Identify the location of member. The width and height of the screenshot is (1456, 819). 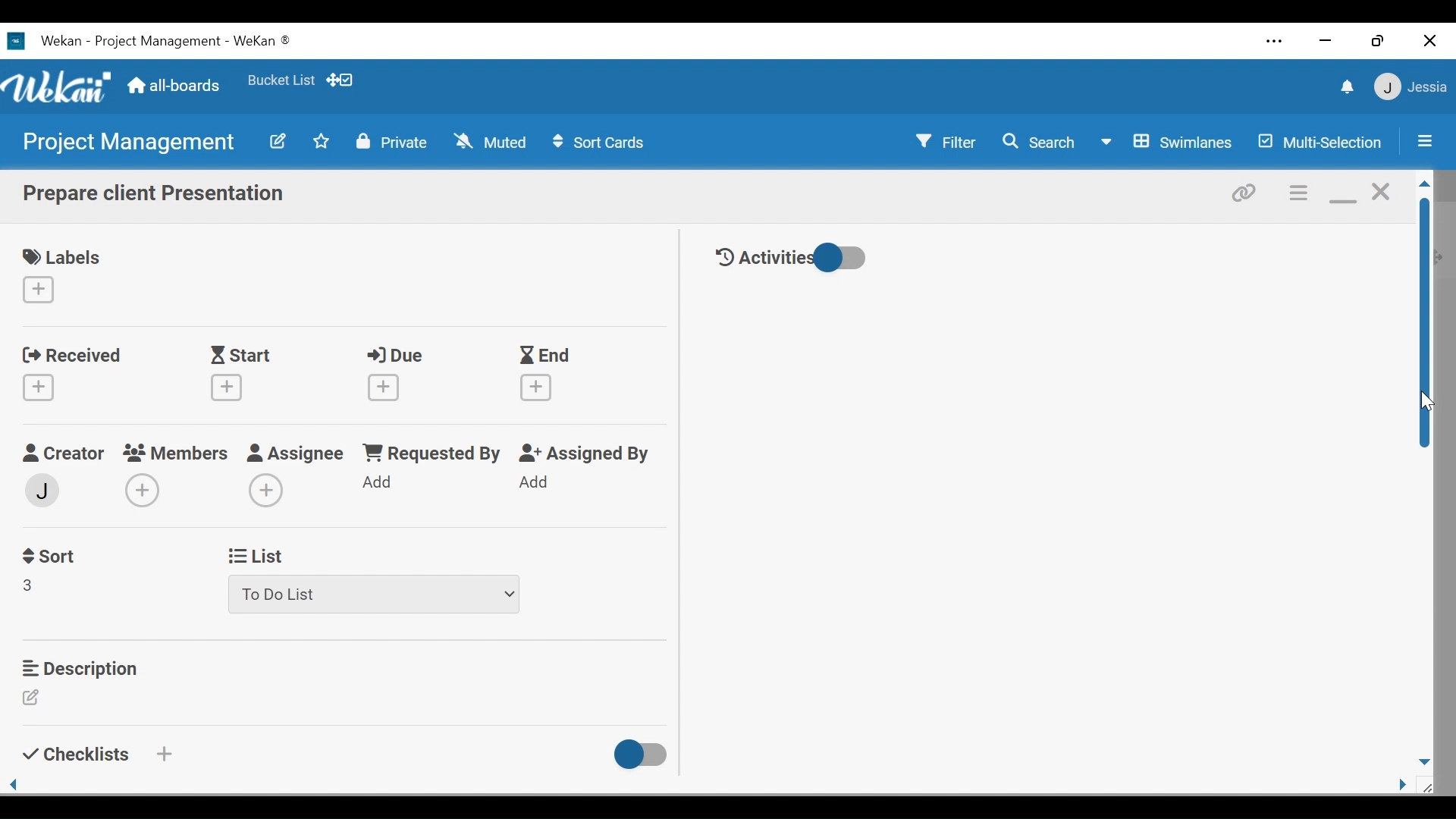
(44, 490).